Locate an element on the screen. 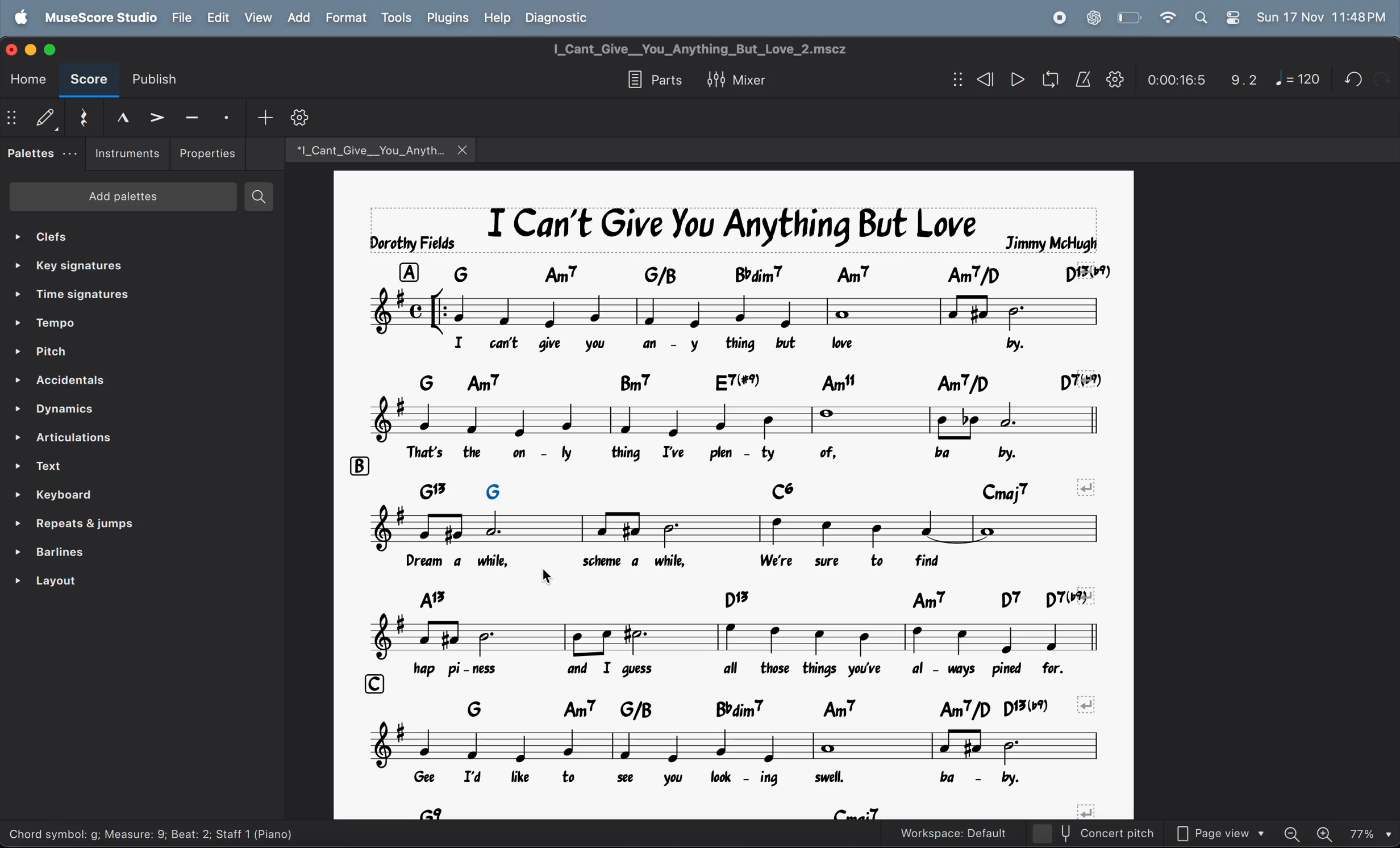  search is located at coordinates (265, 197).